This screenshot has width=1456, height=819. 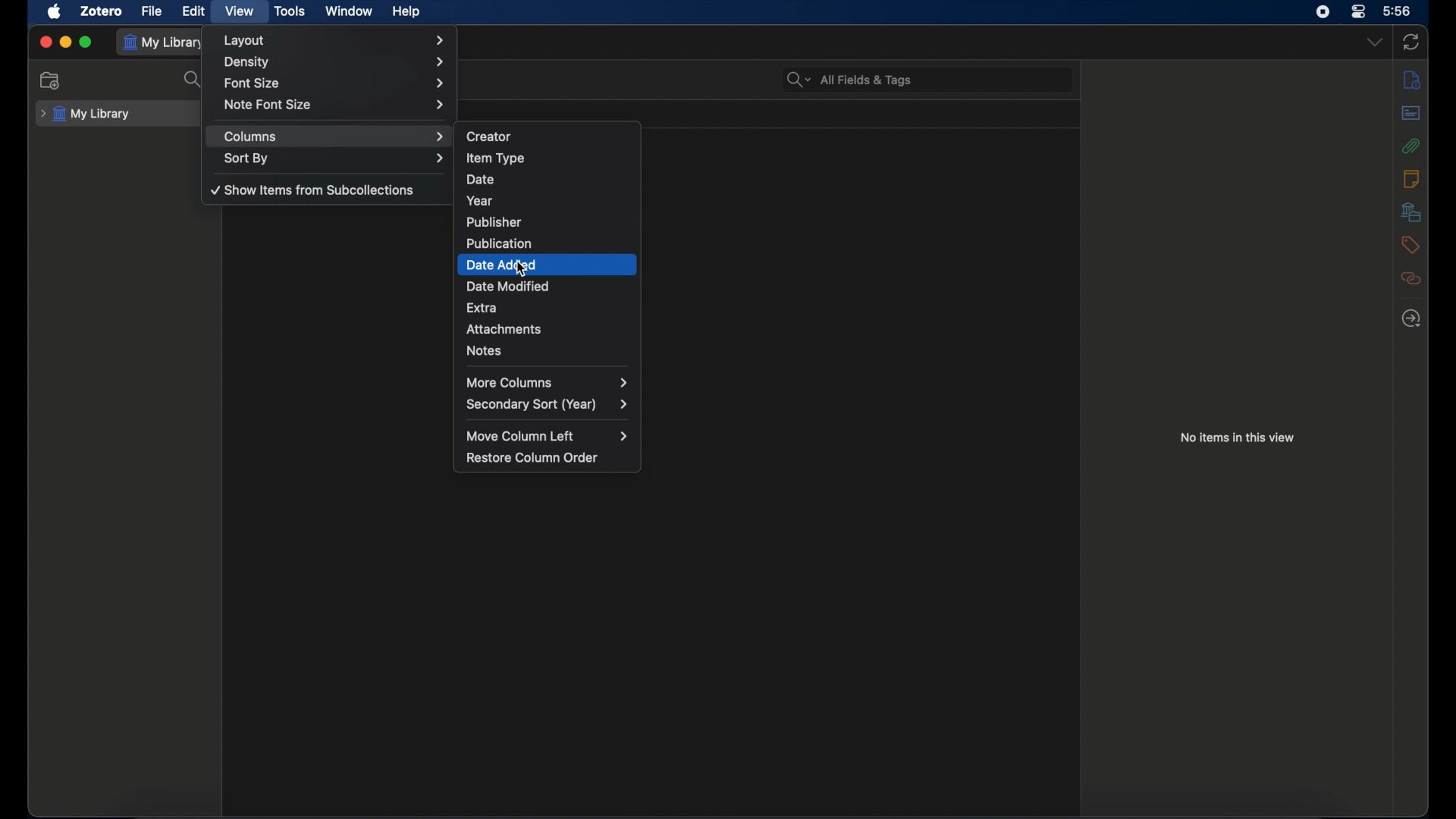 What do you see at coordinates (547, 437) in the screenshot?
I see `move column left` at bounding box center [547, 437].